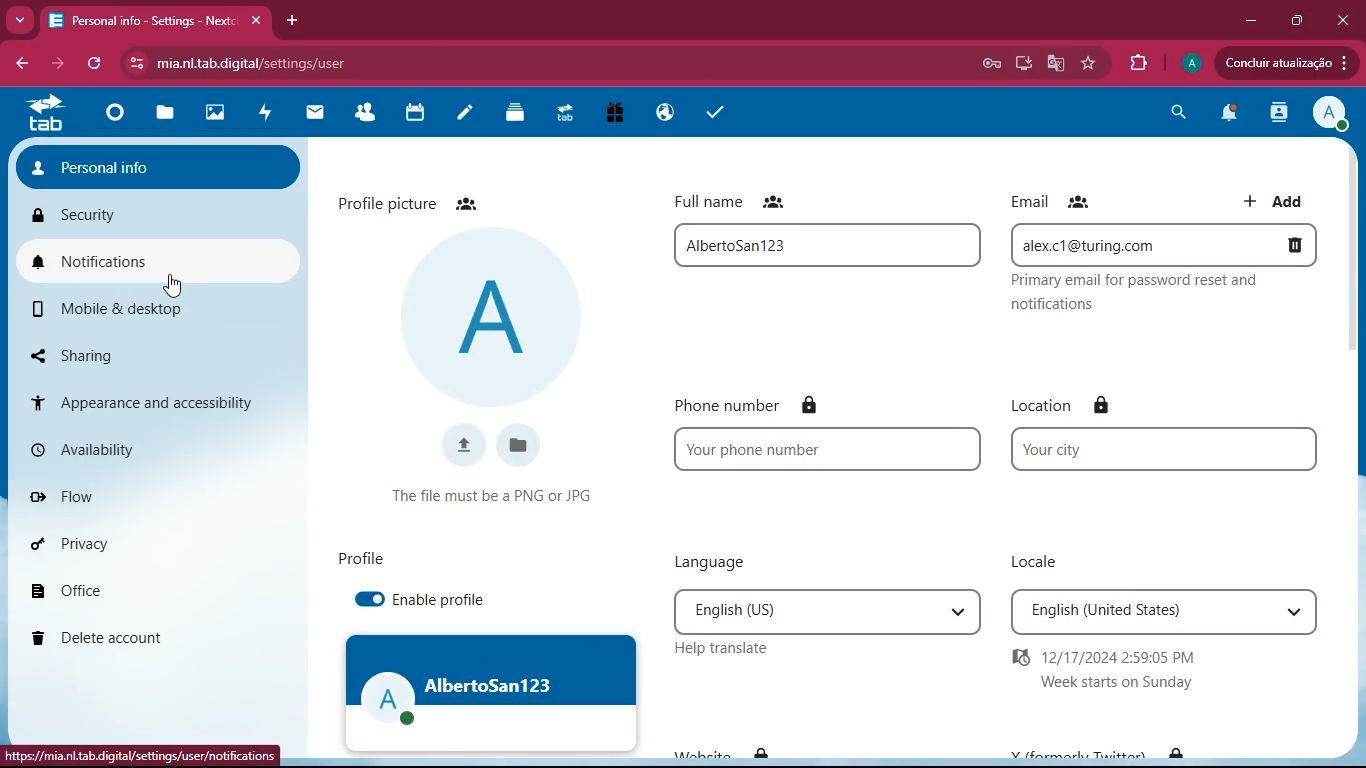 The height and width of the screenshot is (768, 1366). I want to click on personal info, so click(158, 163).